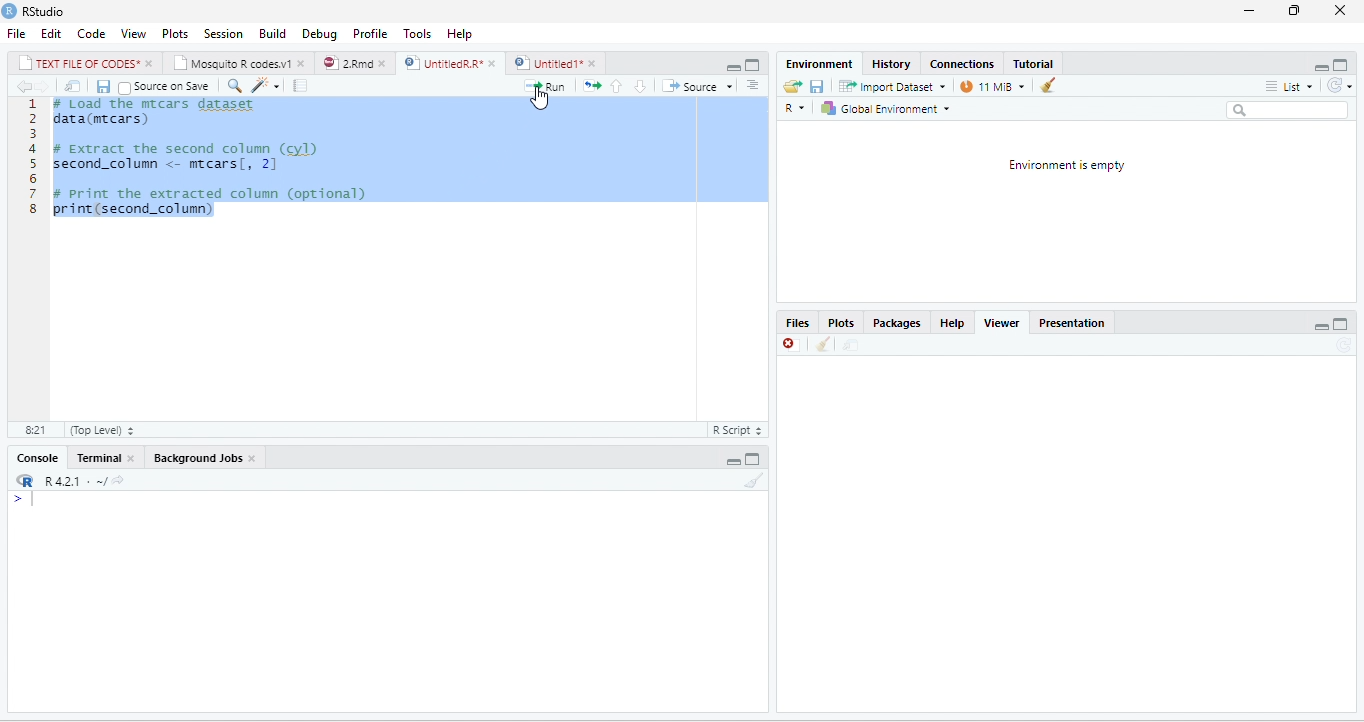  Describe the element at coordinates (1007, 323) in the screenshot. I see `Viewer` at that location.